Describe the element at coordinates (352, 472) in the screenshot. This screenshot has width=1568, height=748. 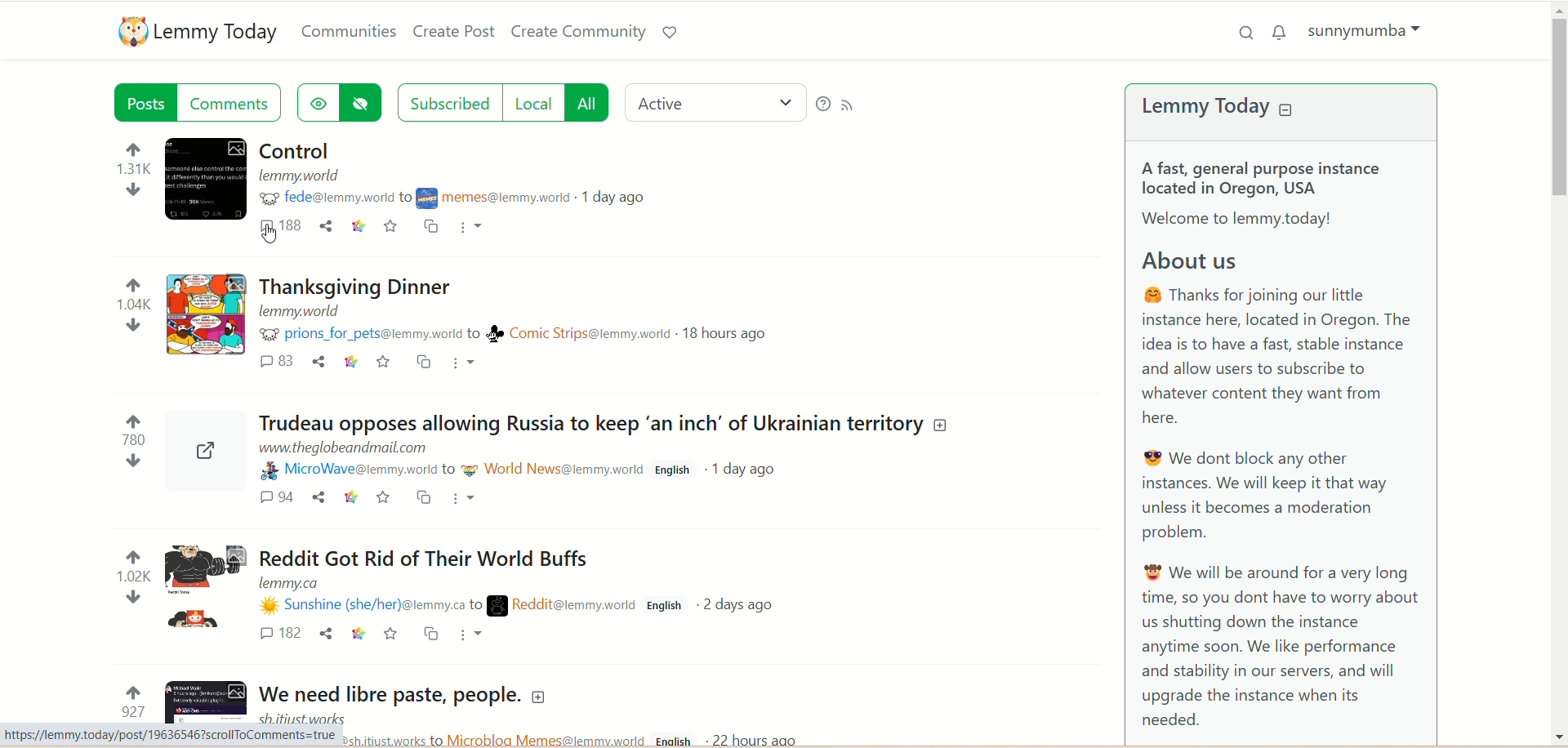
I see `username` at that location.